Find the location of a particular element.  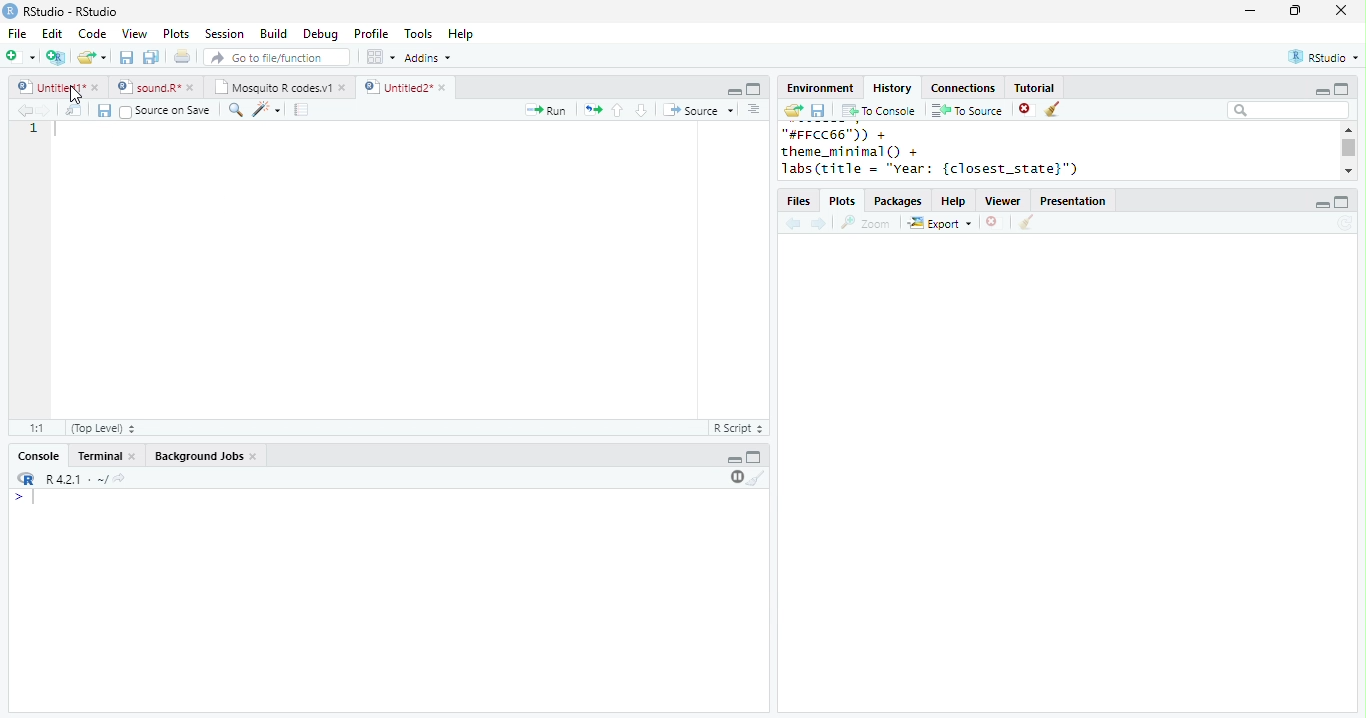

refresh is located at coordinates (1345, 223).